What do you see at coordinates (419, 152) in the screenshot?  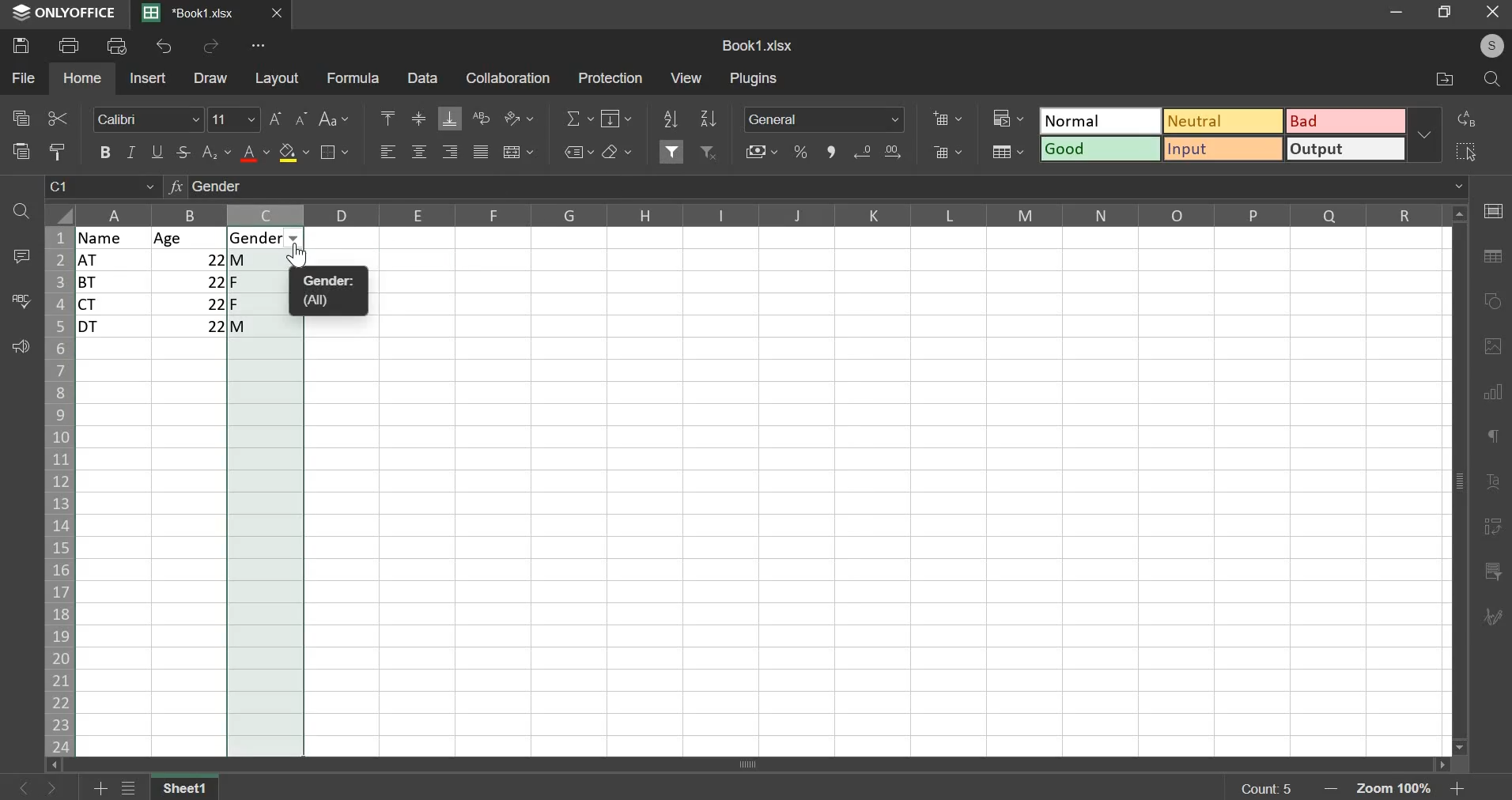 I see `align center` at bounding box center [419, 152].